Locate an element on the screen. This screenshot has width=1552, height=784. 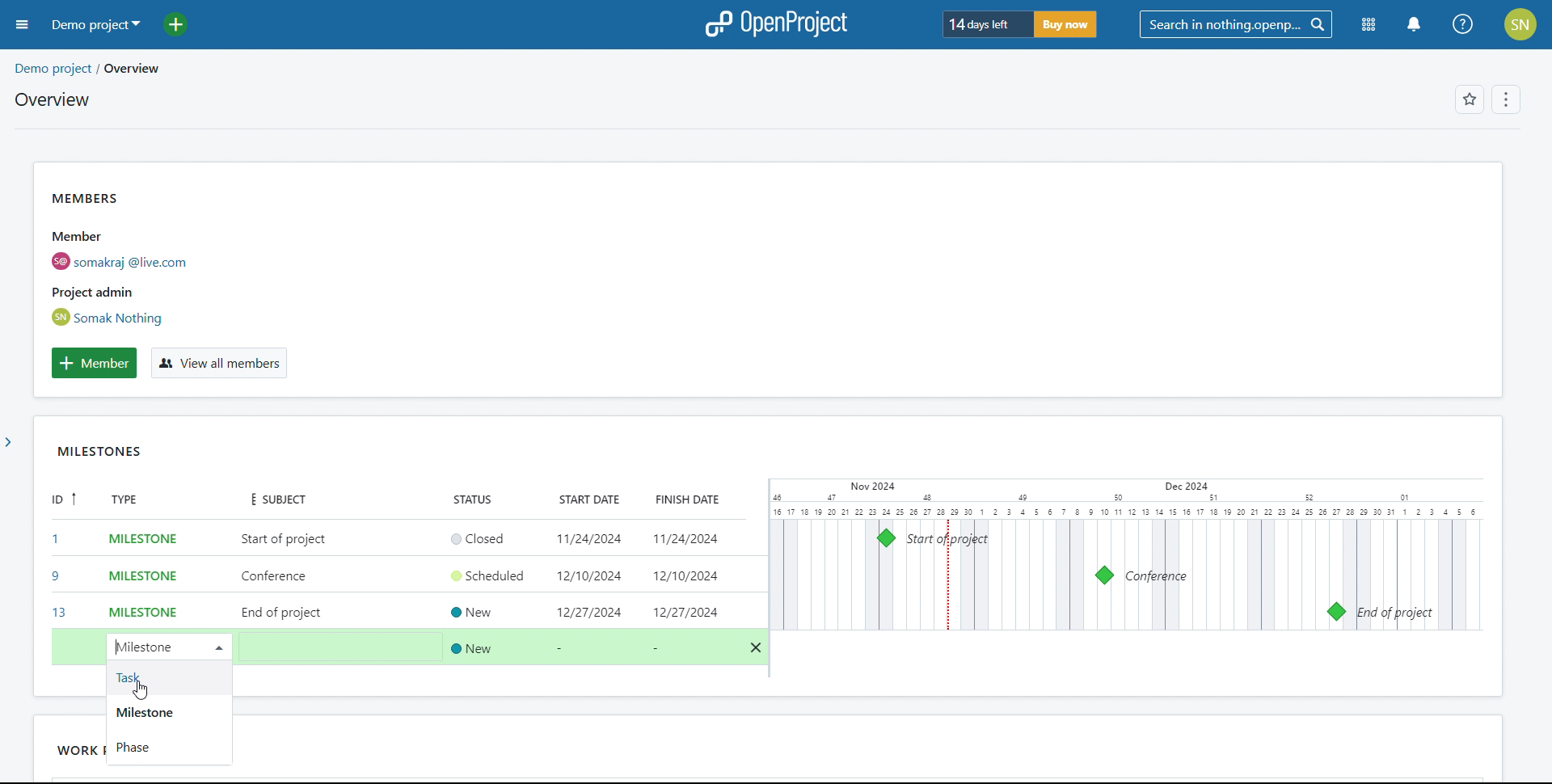
set status is located at coordinates (492, 589).